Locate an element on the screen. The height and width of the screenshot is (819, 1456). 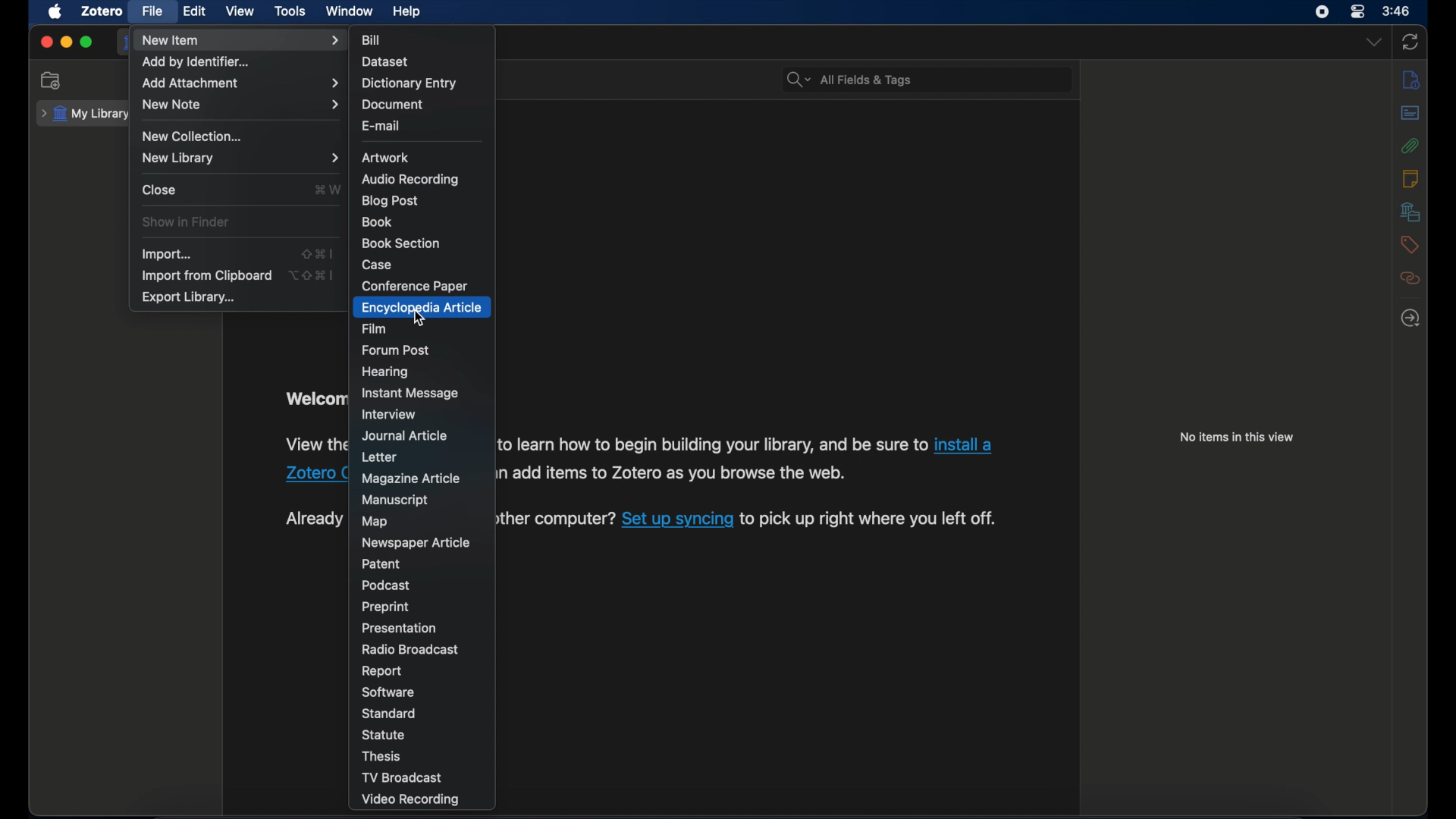
locate is located at coordinates (1410, 319).